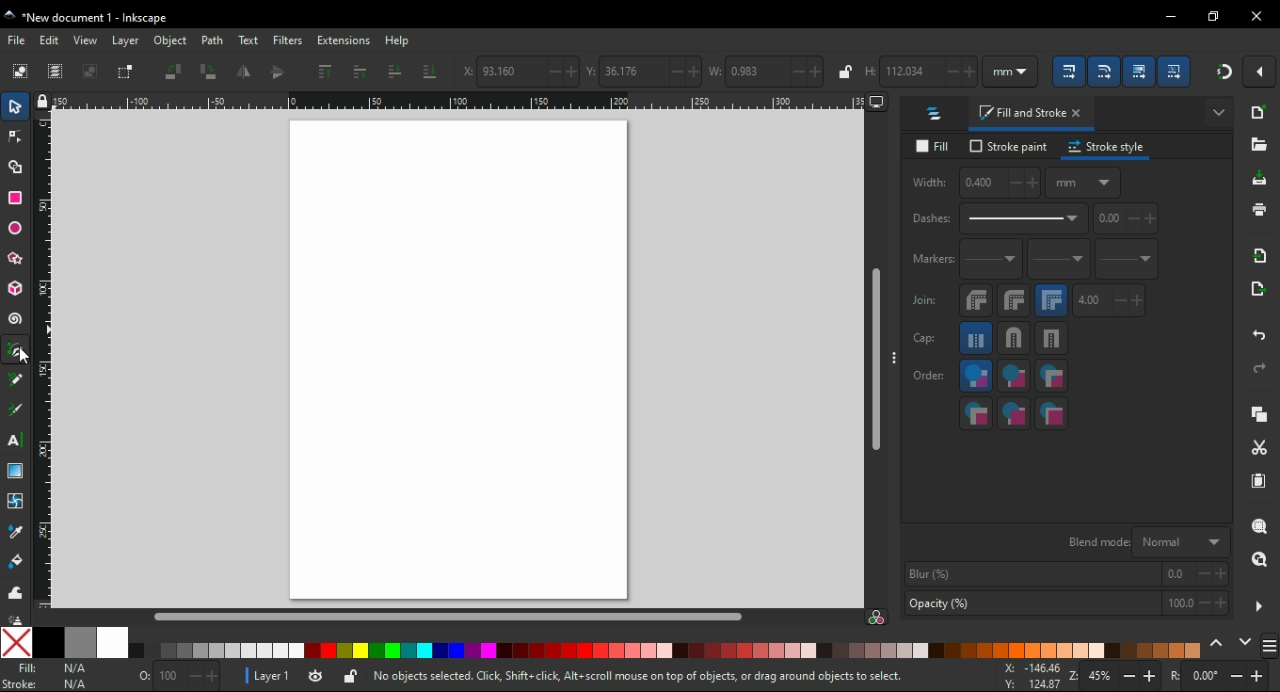  What do you see at coordinates (245, 71) in the screenshot?
I see `object flip horizontal` at bounding box center [245, 71].